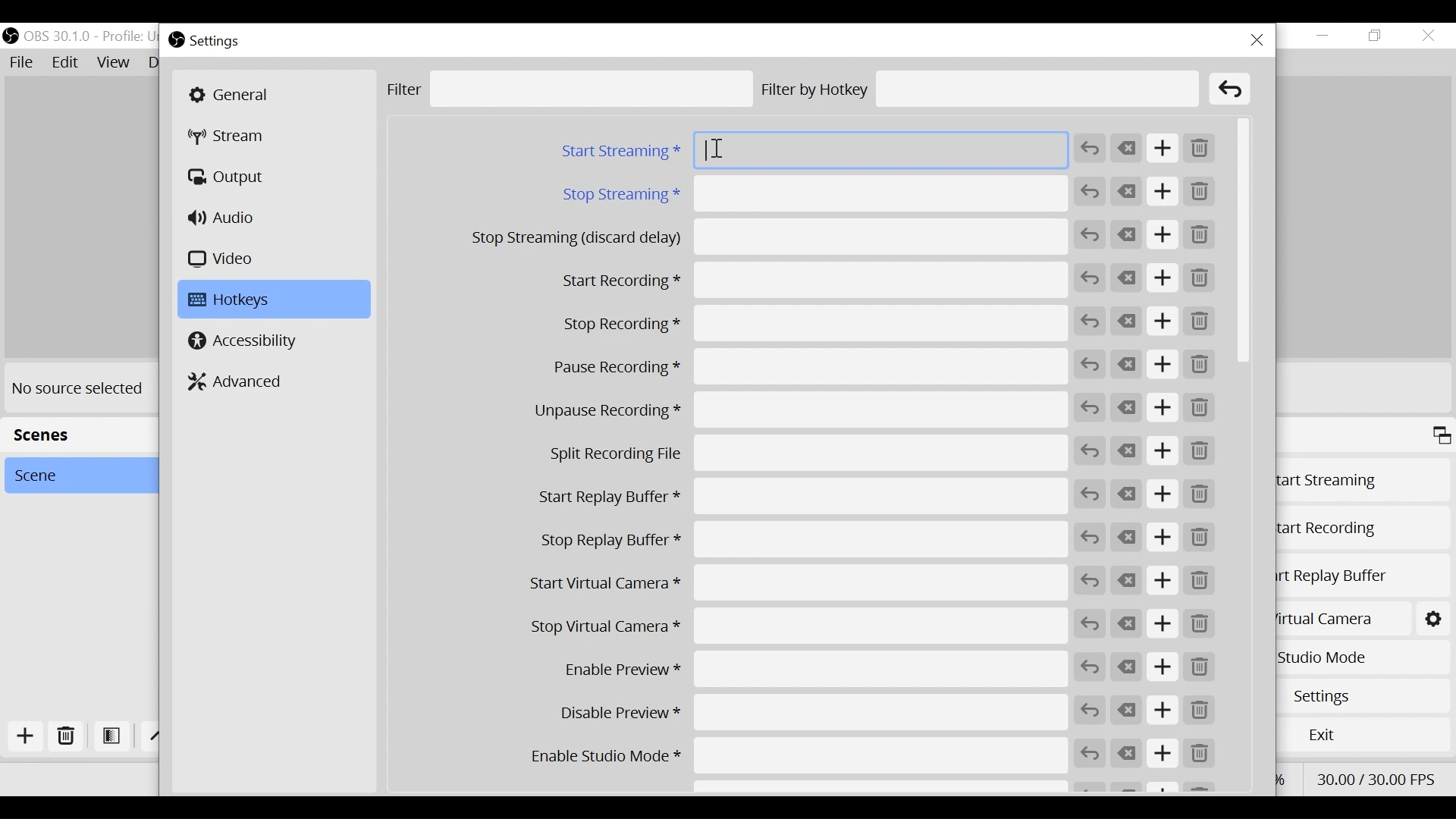 This screenshot has height=819, width=1456. What do you see at coordinates (1200, 582) in the screenshot?
I see `Remove` at bounding box center [1200, 582].